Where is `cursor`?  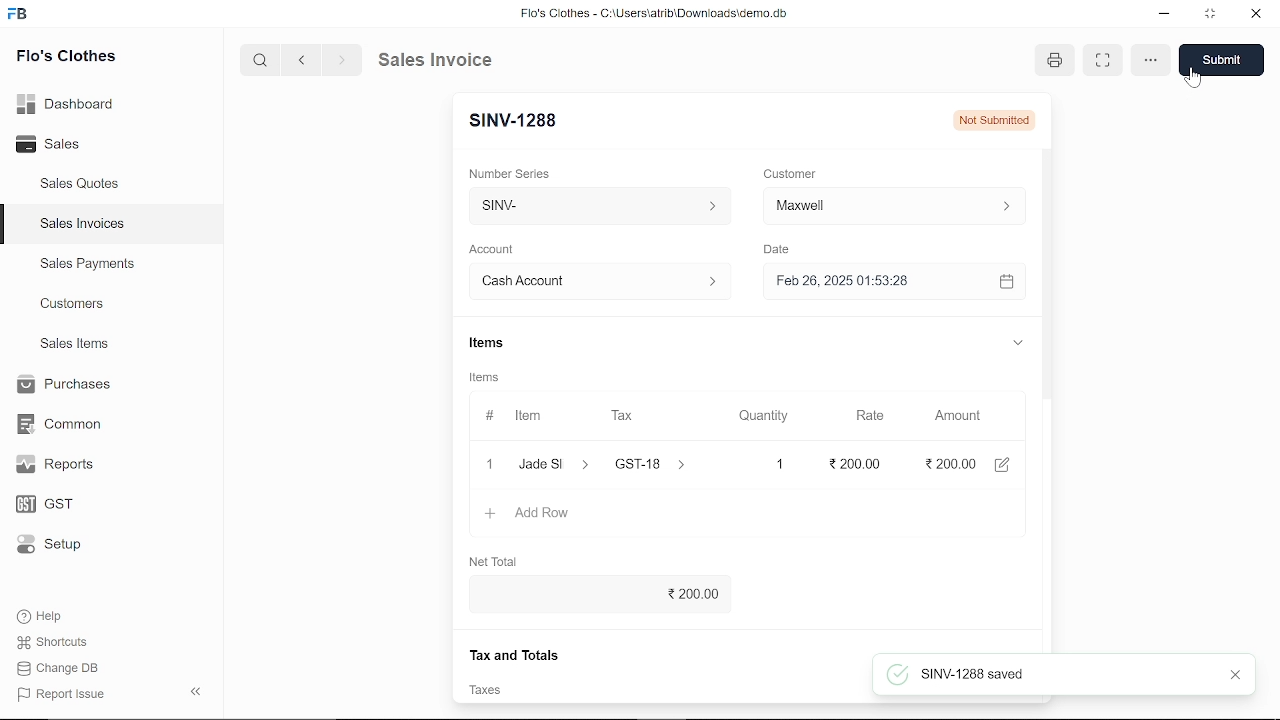
cursor is located at coordinates (1194, 79).